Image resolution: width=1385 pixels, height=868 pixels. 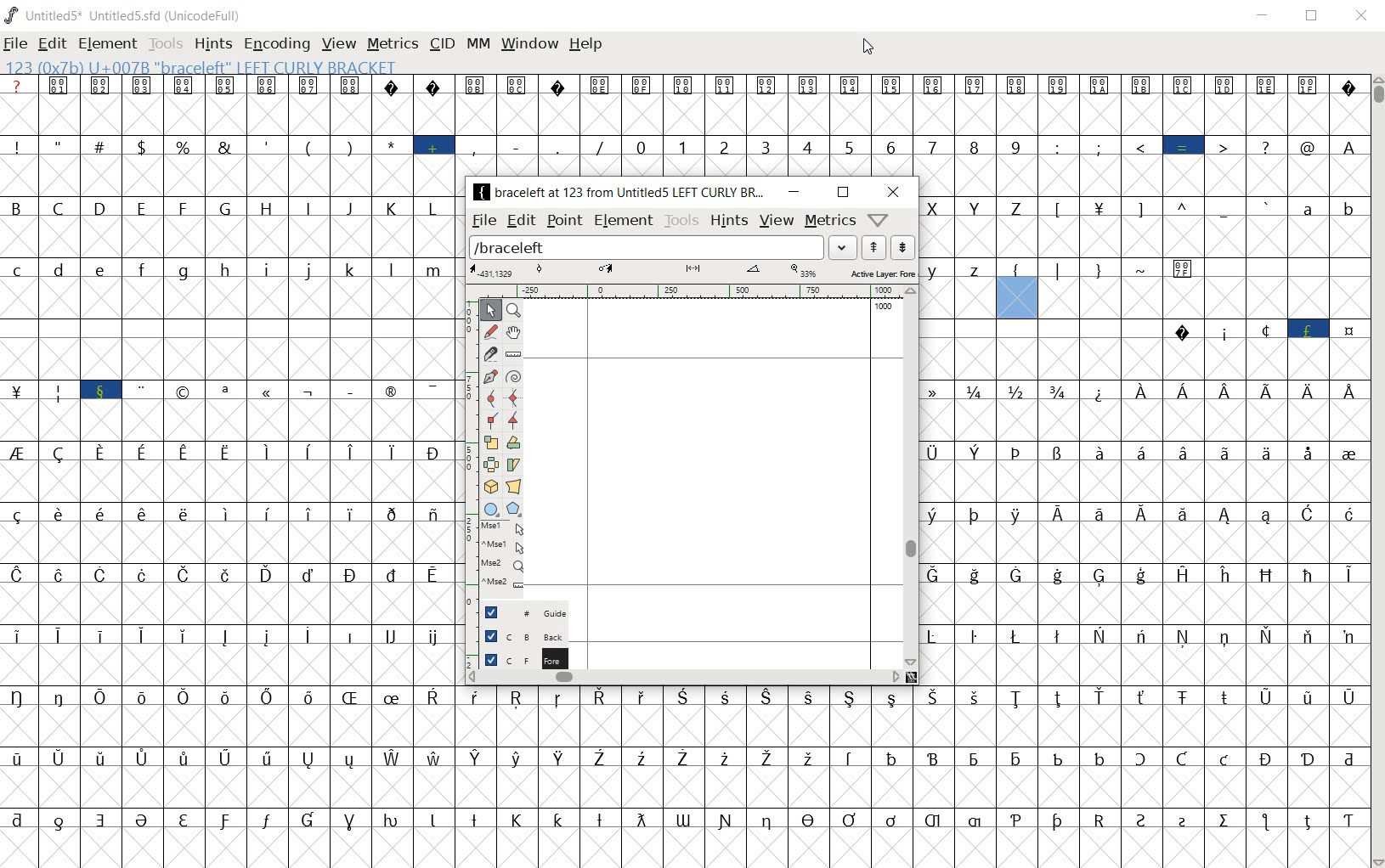 What do you see at coordinates (585, 45) in the screenshot?
I see `help` at bounding box center [585, 45].